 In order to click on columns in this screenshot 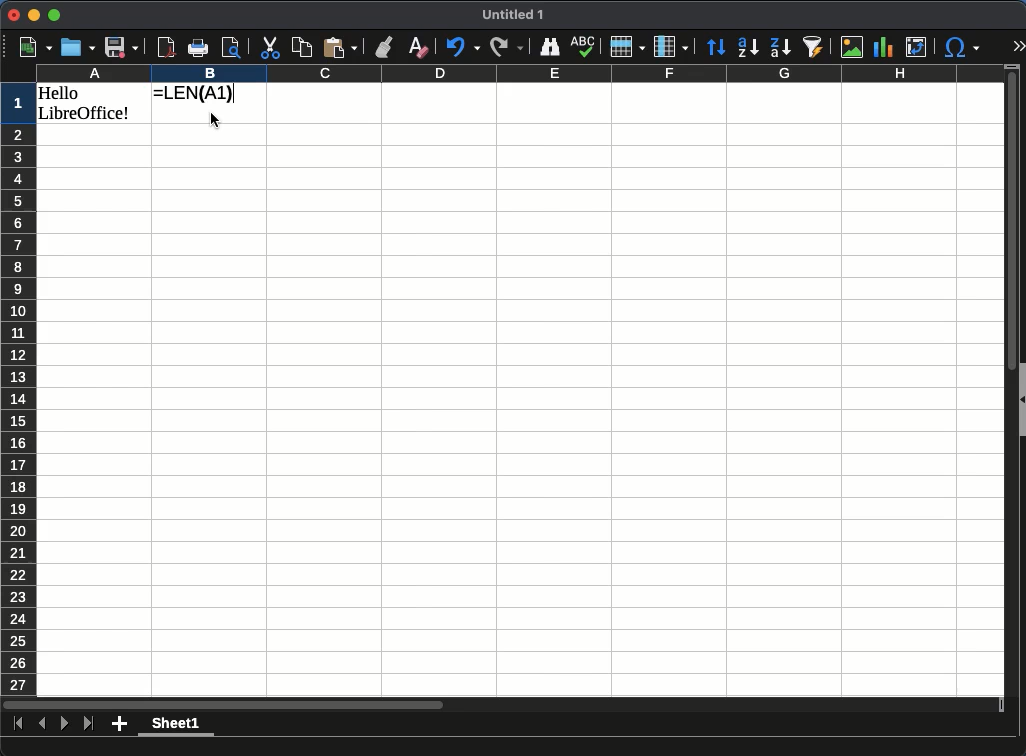, I will do `click(671, 46)`.